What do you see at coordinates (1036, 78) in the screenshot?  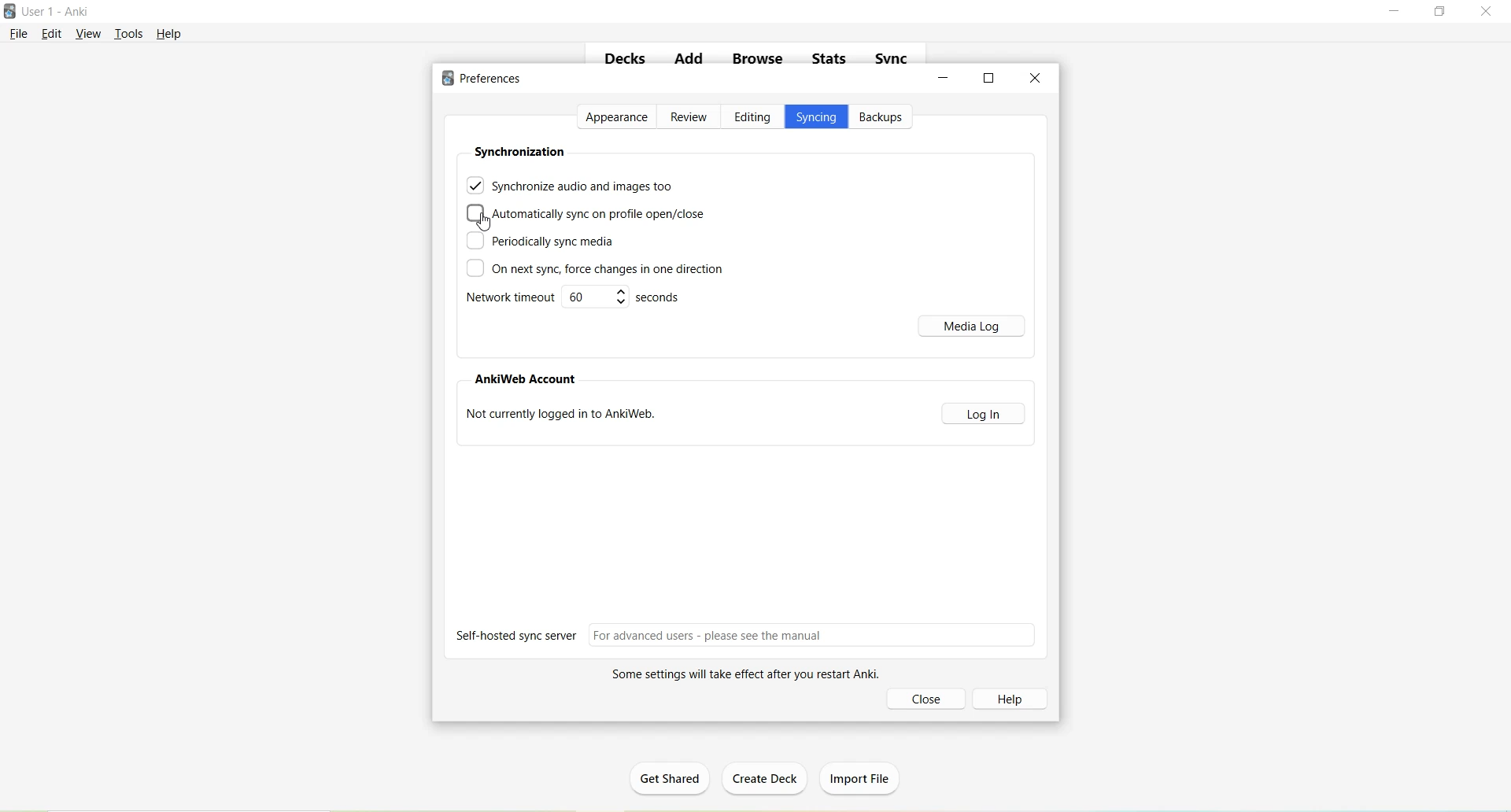 I see `Close` at bounding box center [1036, 78].